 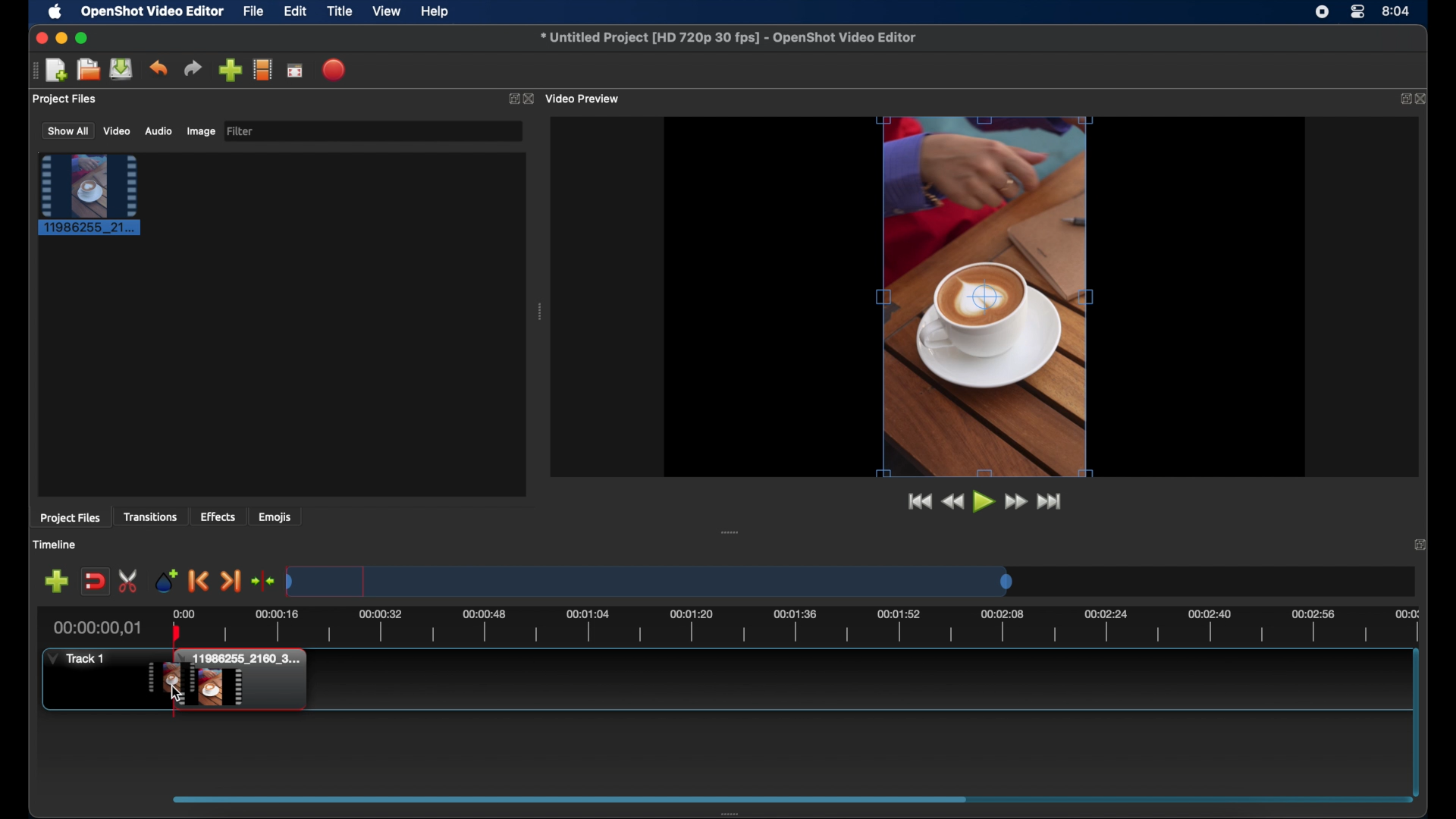 I want to click on project files, so click(x=71, y=519).